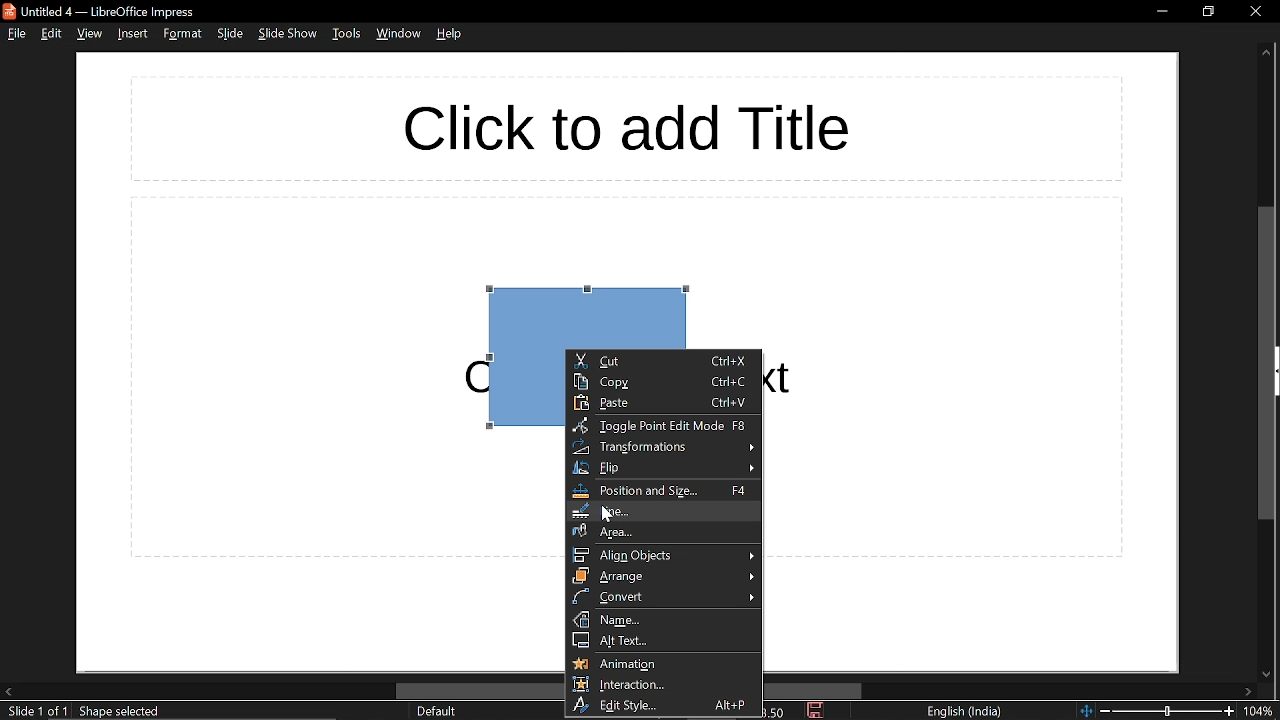 The height and width of the screenshot is (720, 1280). I want to click on paste, so click(665, 402).